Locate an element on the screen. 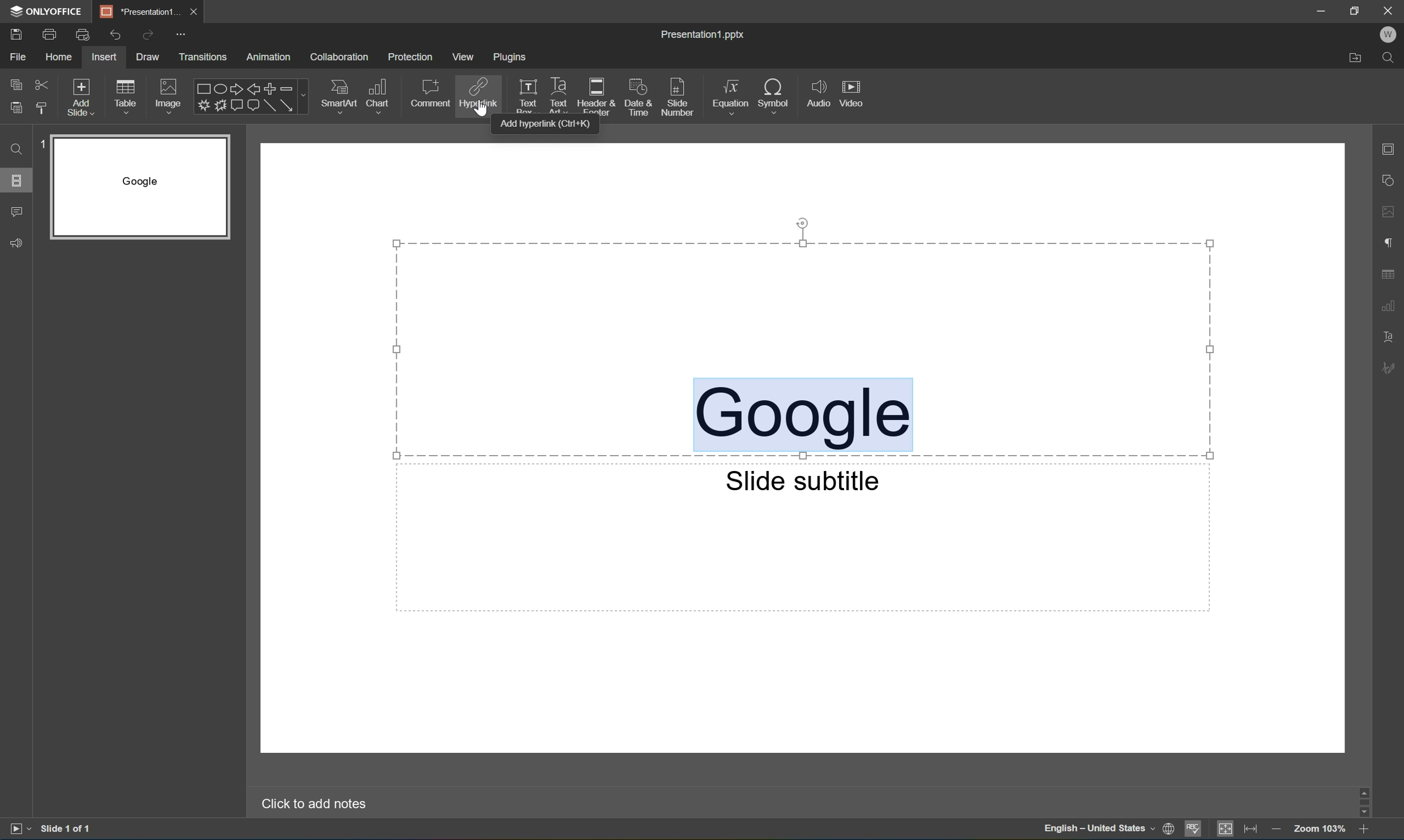 The width and height of the screenshot is (1404, 840). Slide 1 of 1 is located at coordinates (69, 829).